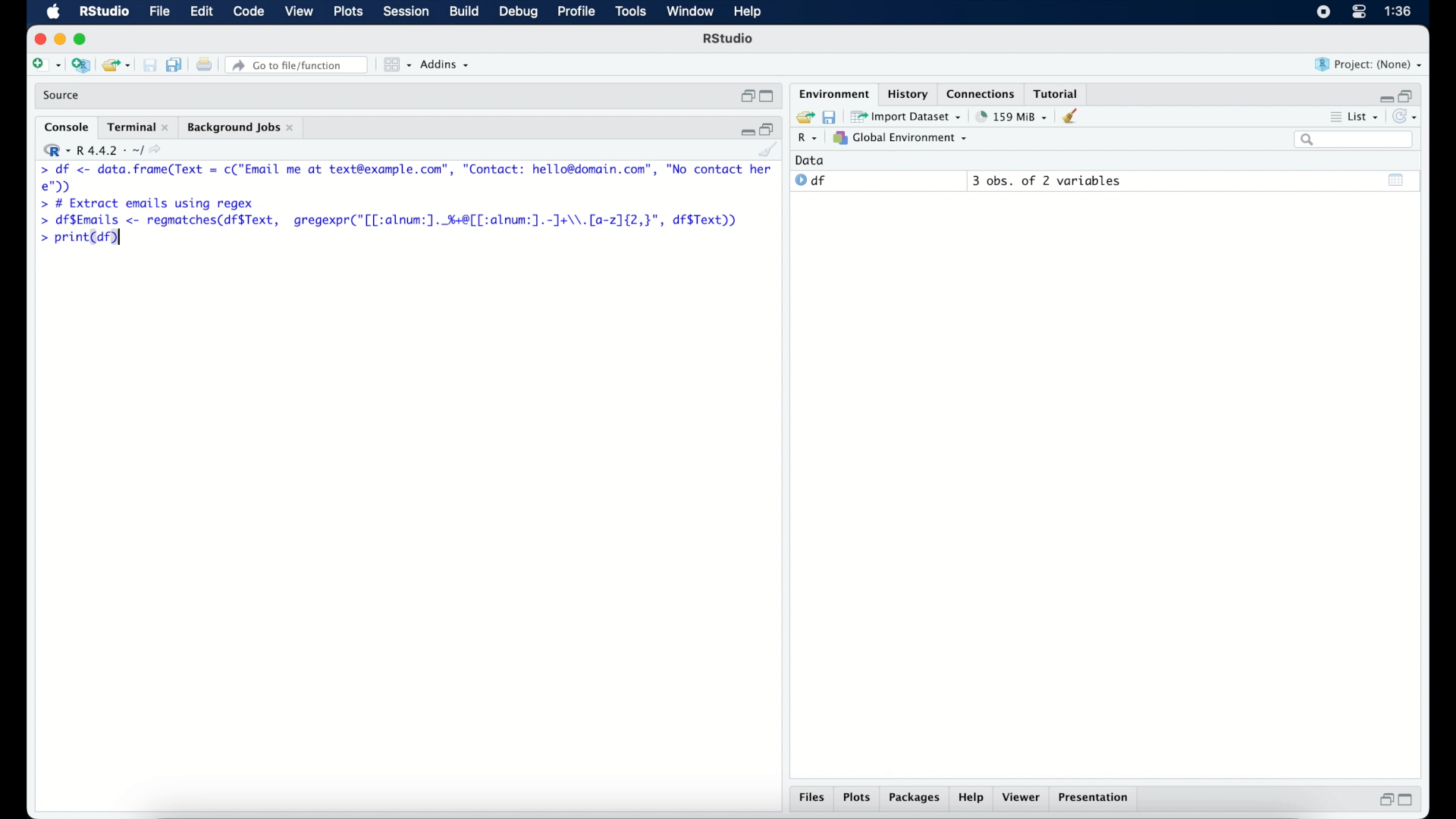  Describe the element at coordinates (914, 799) in the screenshot. I see `packages` at that location.